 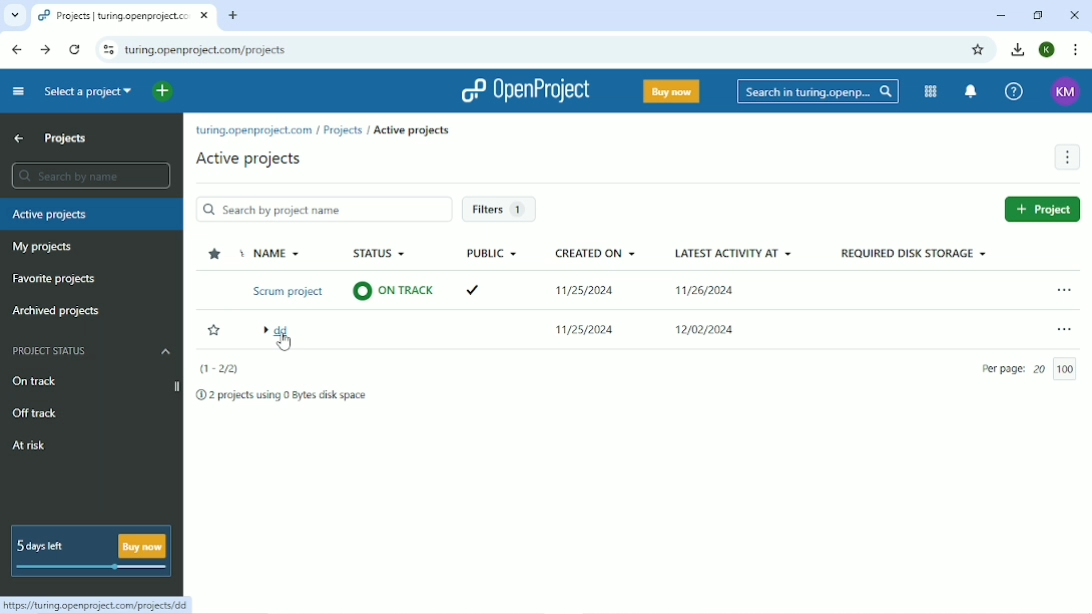 What do you see at coordinates (1041, 209) in the screenshot?
I see `New project` at bounding box center [1041, 209].